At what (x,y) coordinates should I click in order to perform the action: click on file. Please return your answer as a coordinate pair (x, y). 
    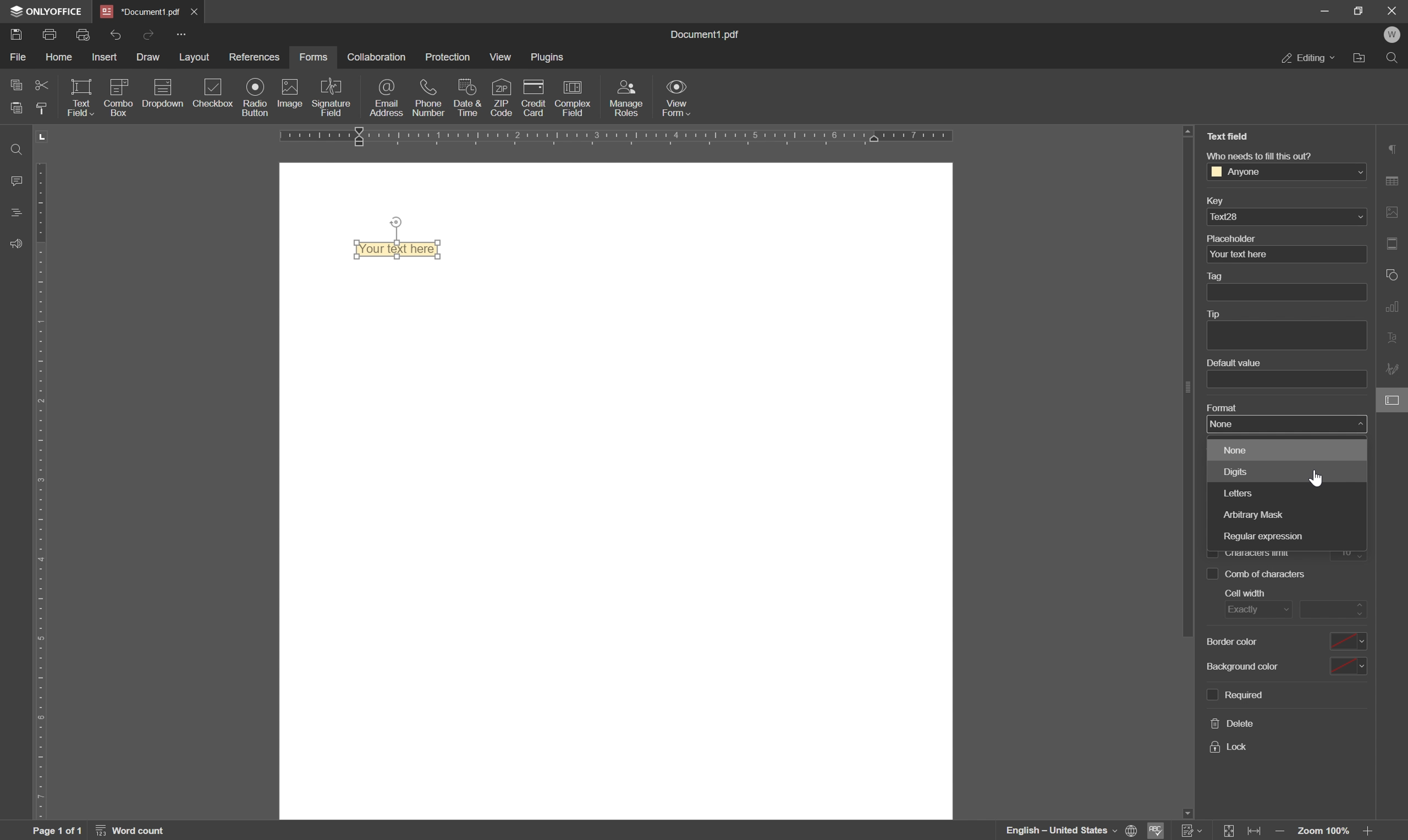
    Looking at the image, I should click on (19, 60).